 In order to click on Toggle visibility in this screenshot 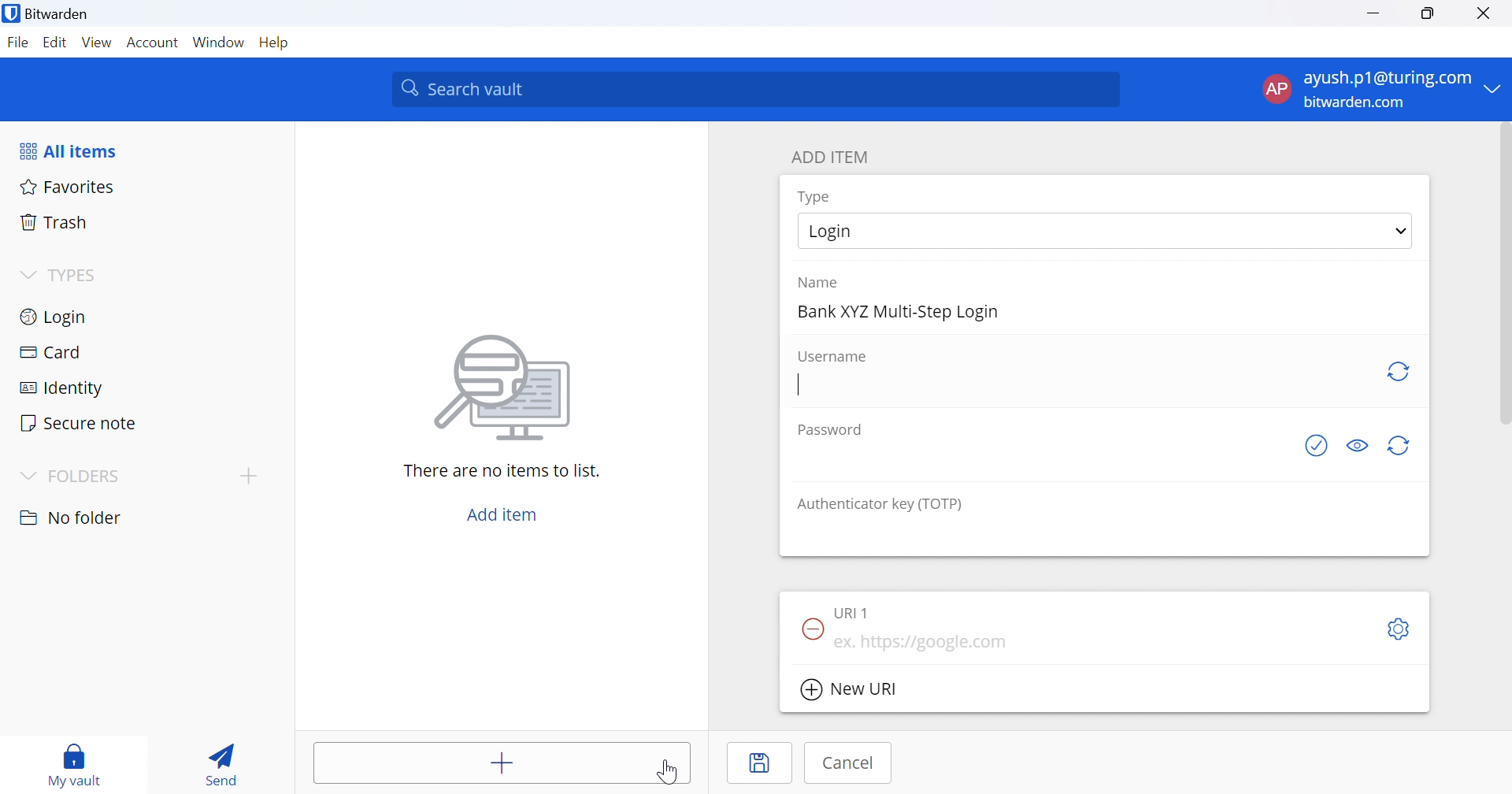, I will do `click(1357, 446)`.